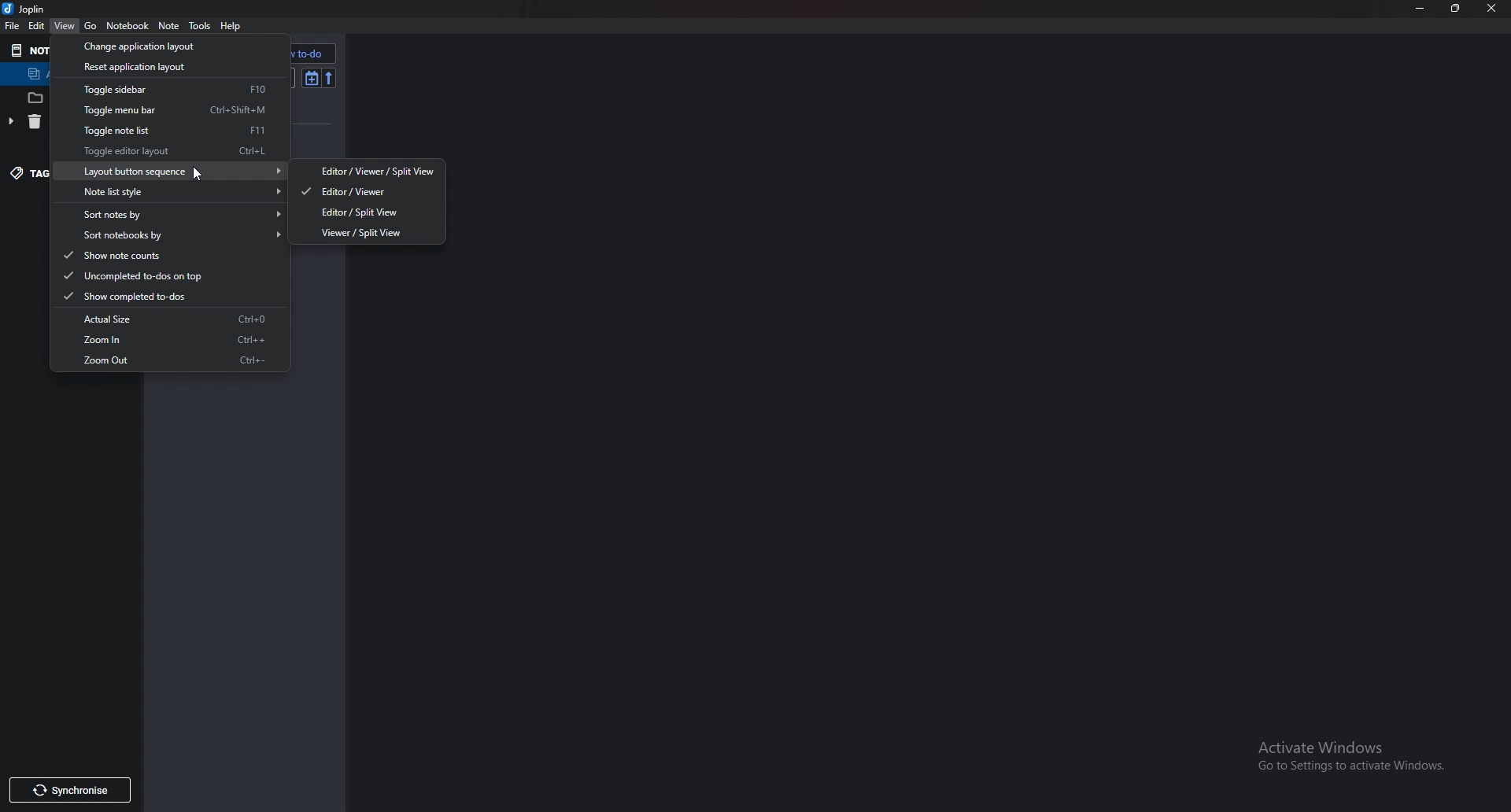 The image size is (1511, 812). I want to click on toggle editor layout, so click(175, 150).